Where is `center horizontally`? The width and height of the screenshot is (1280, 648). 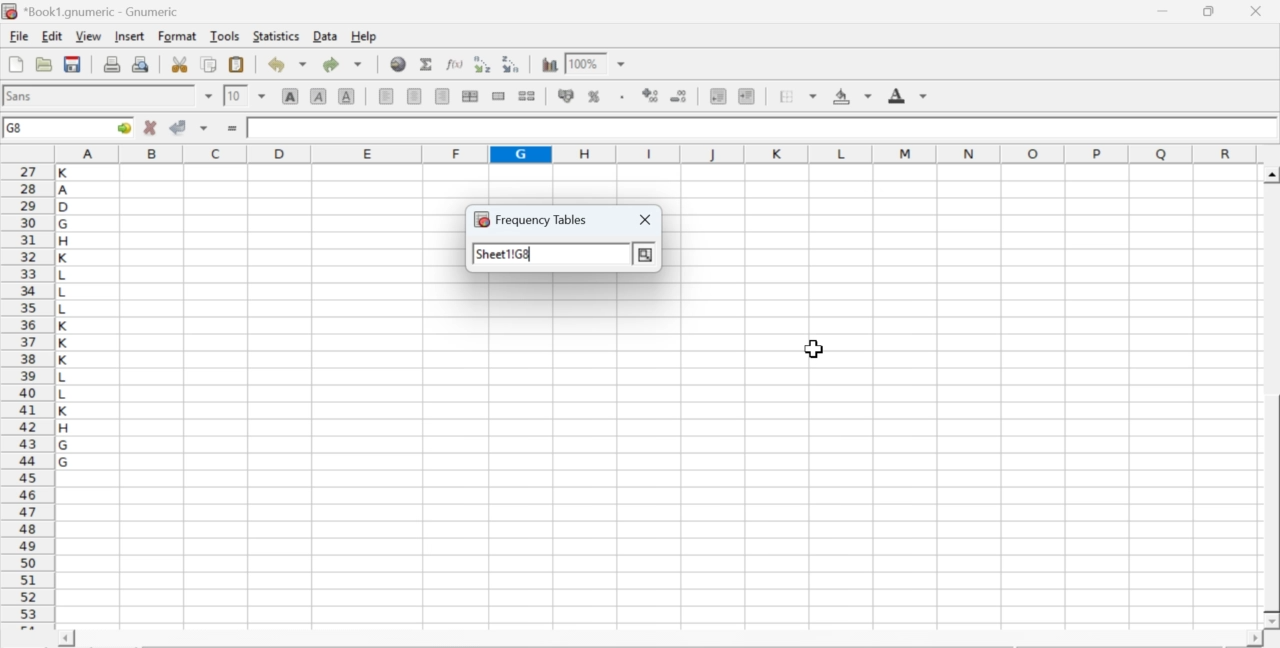 center horizontally is located at coordinates (470, 96).